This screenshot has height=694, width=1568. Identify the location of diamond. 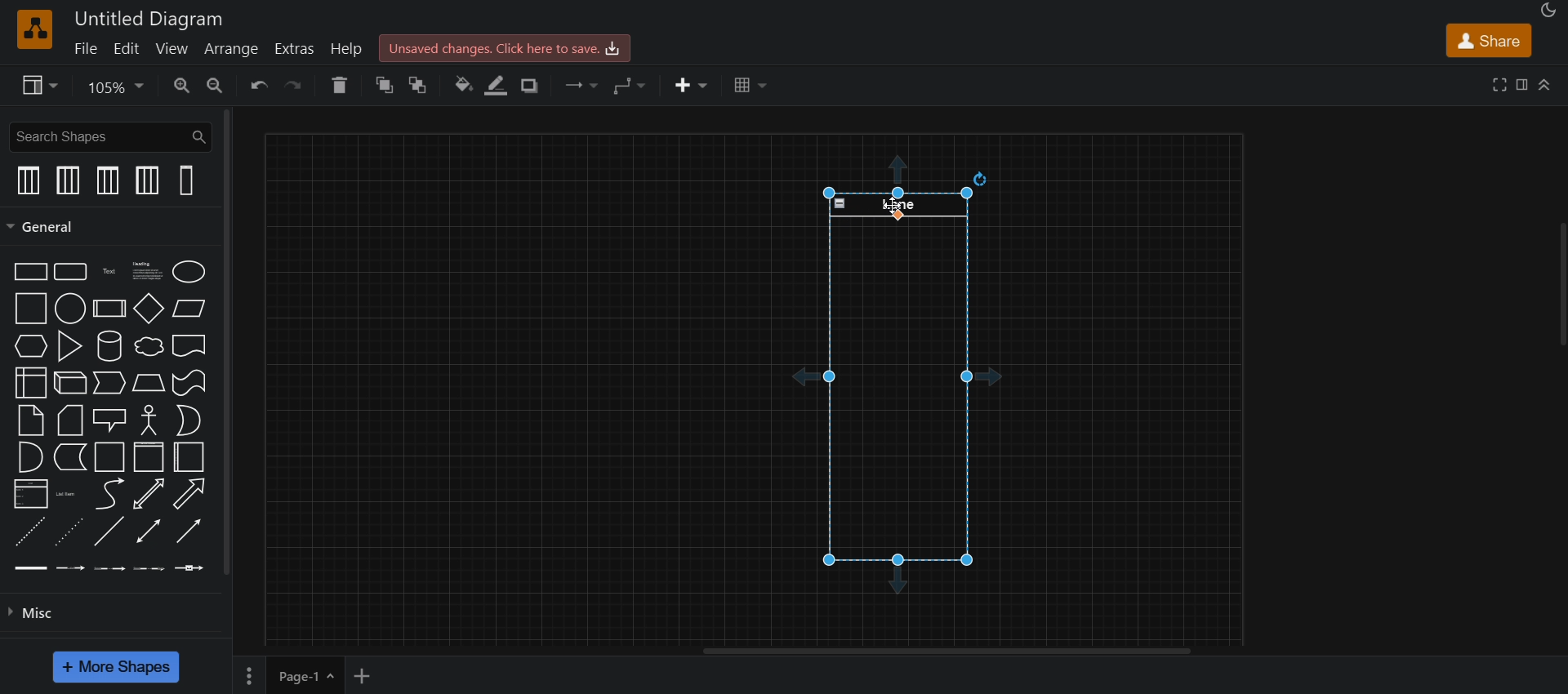
(149, 309).